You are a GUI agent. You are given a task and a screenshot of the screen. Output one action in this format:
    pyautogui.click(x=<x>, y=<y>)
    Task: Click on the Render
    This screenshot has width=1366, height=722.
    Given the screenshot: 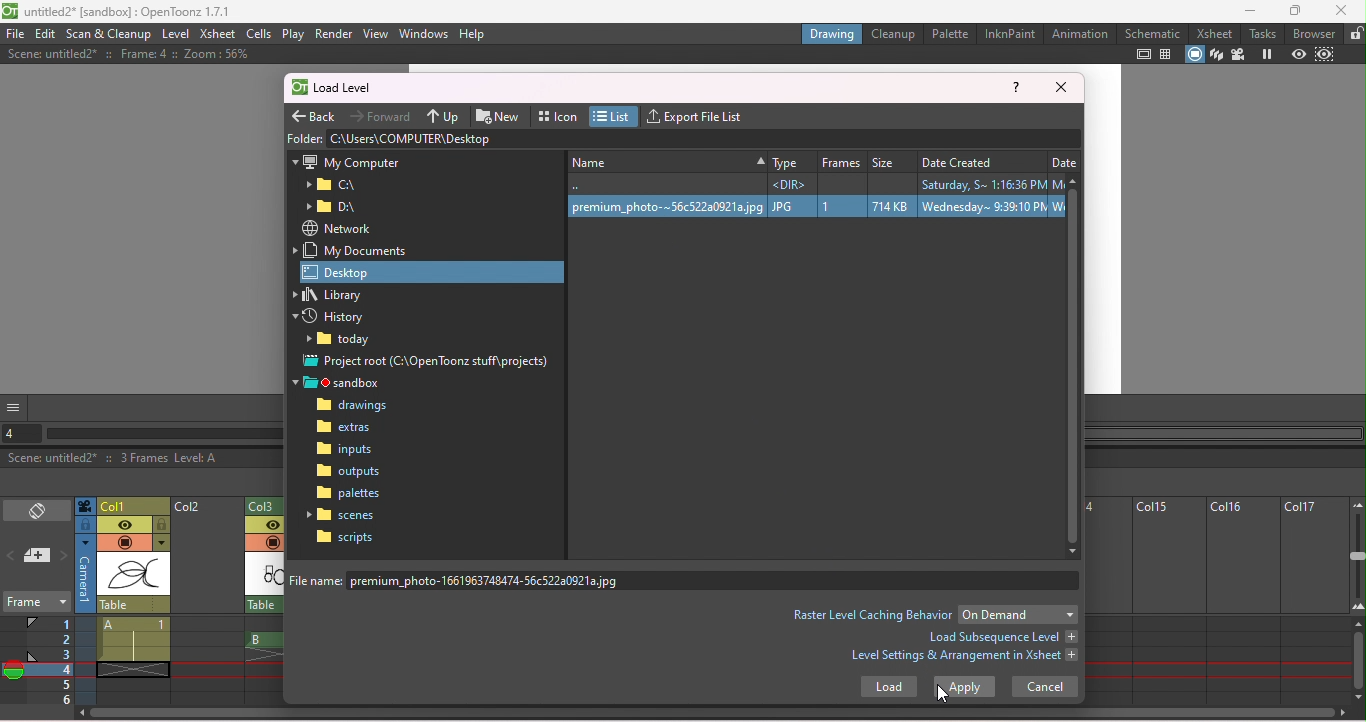 What is the action you would take?
    pyautogui.click(x=333, y=34)
    